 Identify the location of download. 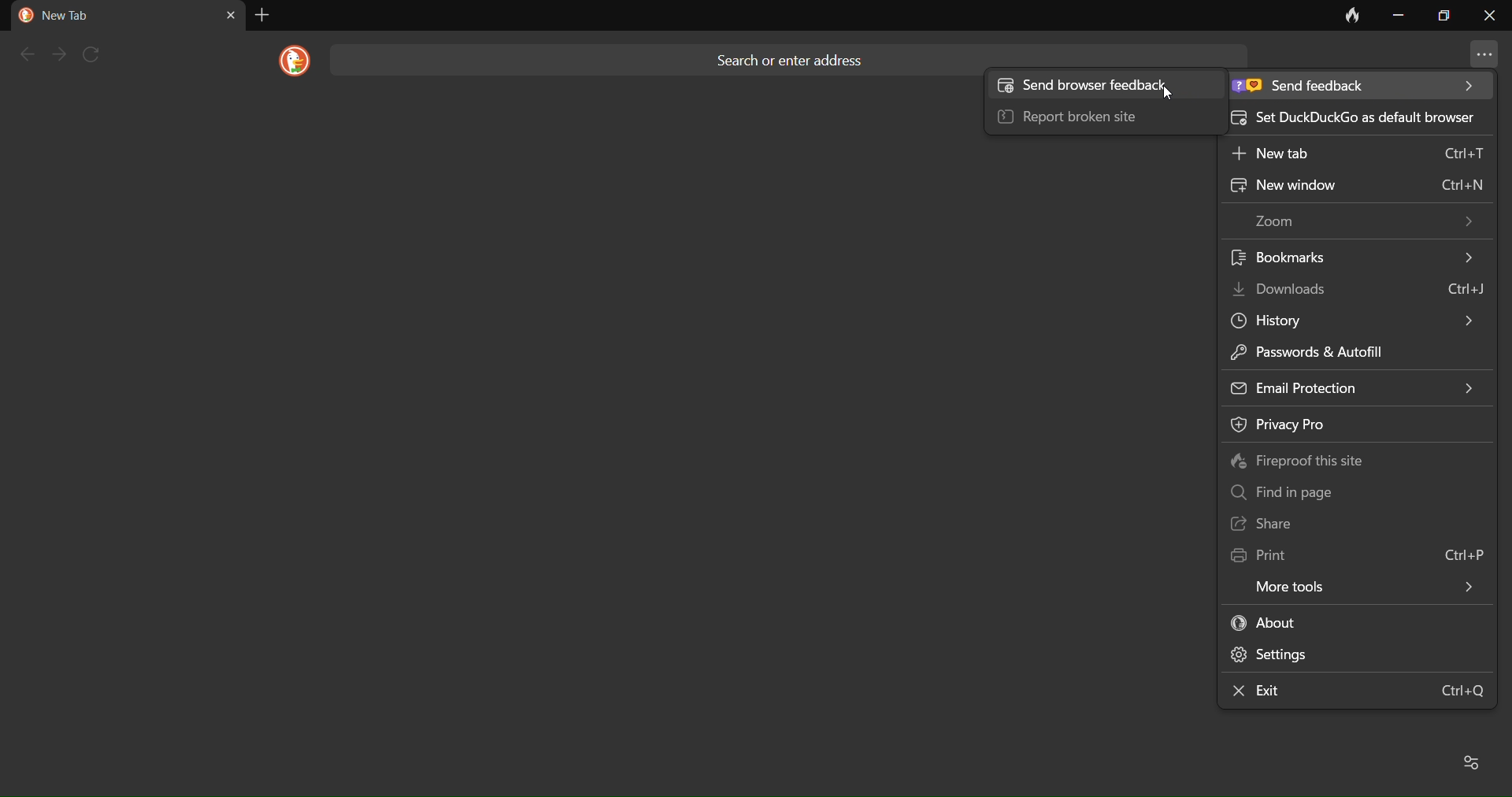
(1361, 288).